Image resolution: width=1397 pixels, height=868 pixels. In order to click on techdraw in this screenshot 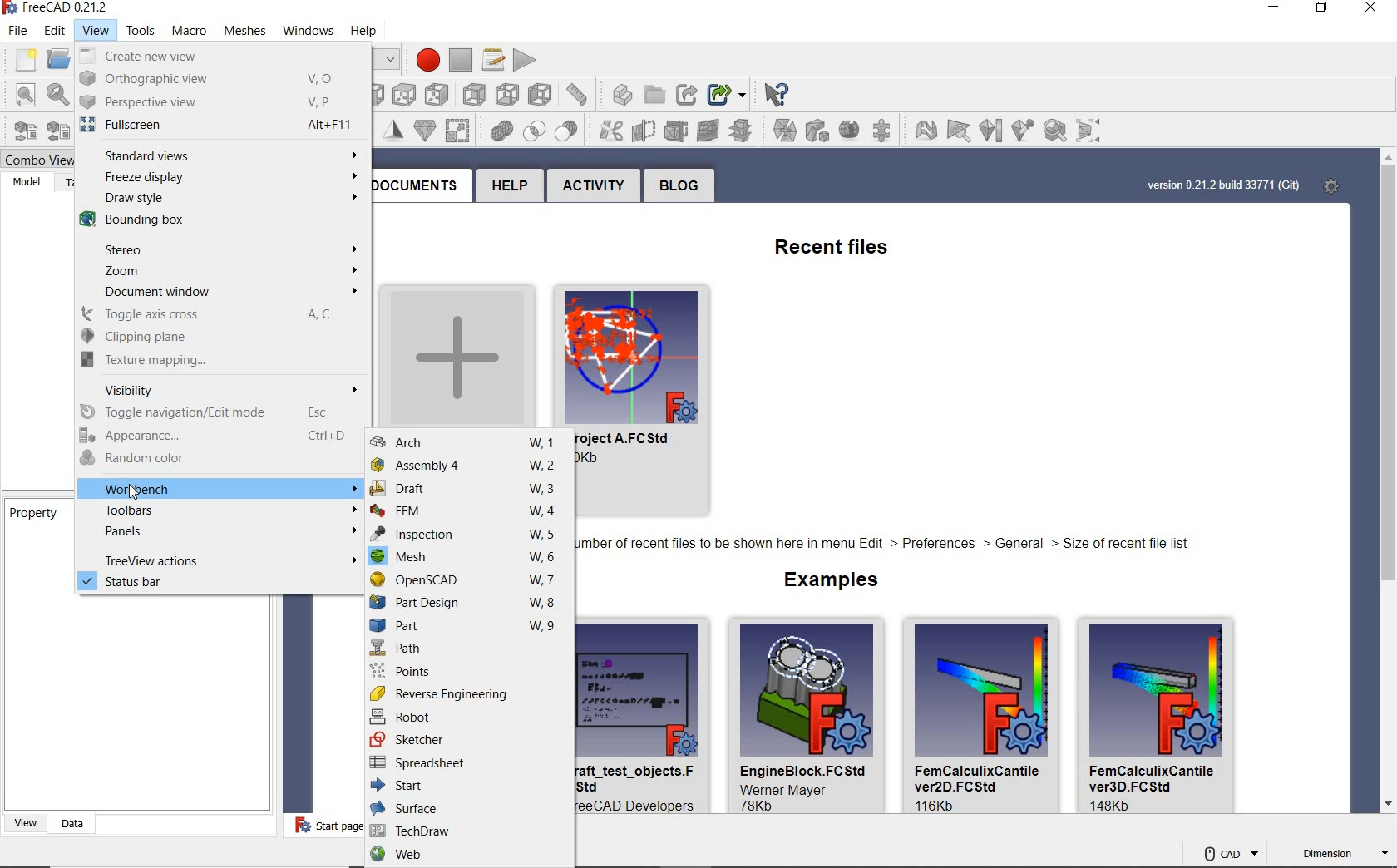, I will do `click(466, 831)`.